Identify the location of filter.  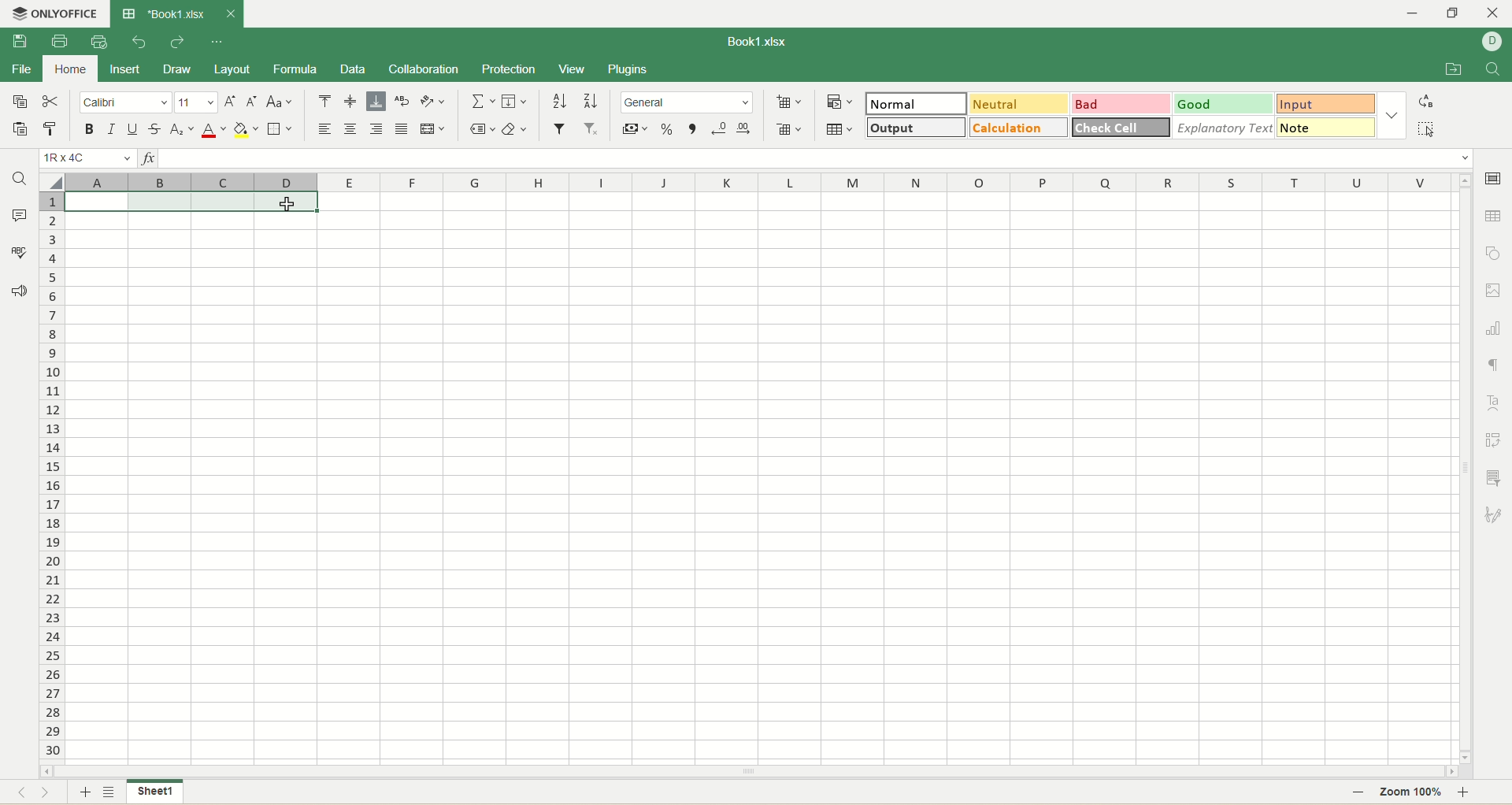
(559, 128).